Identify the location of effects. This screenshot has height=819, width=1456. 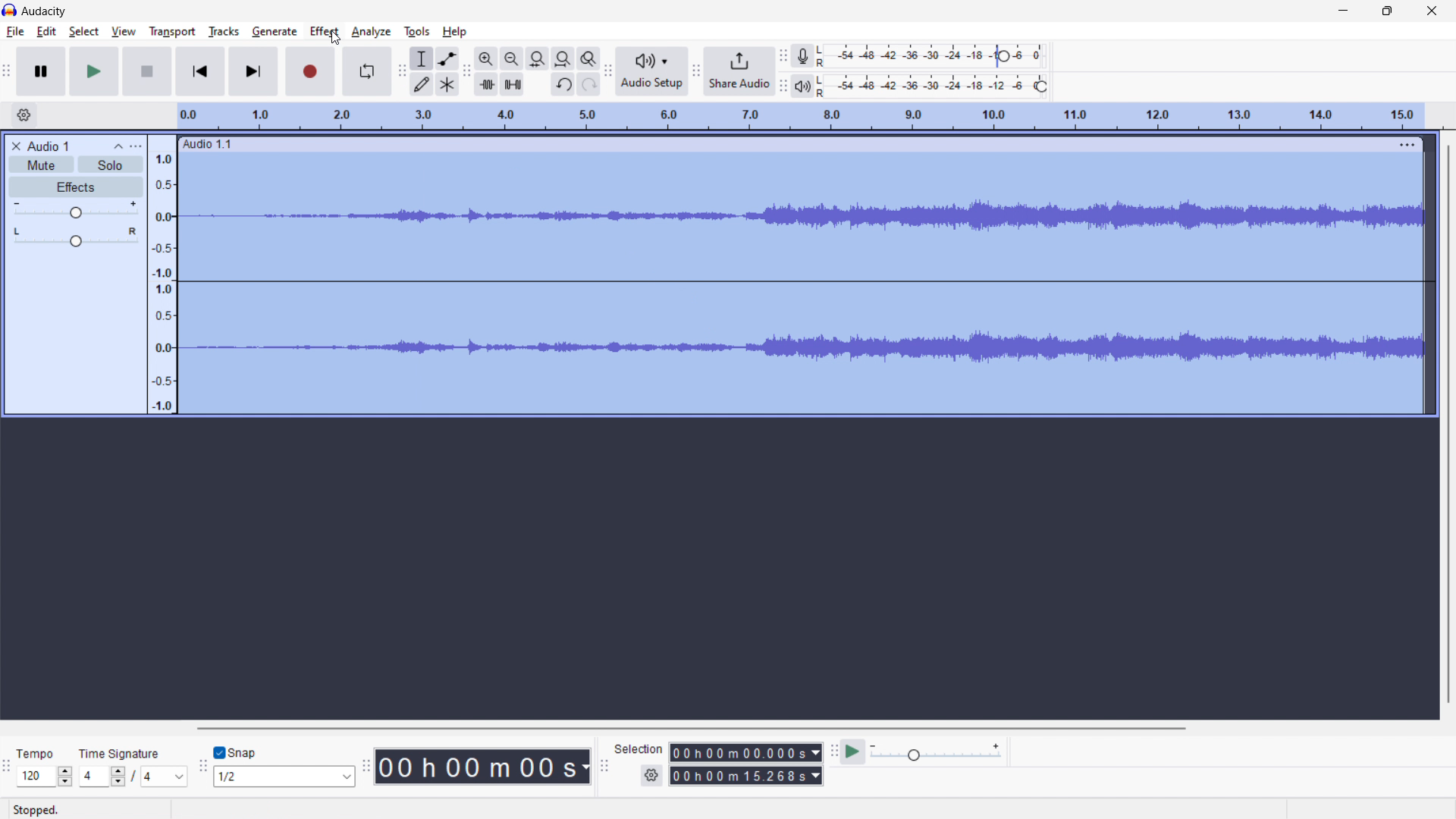
(77, 187).